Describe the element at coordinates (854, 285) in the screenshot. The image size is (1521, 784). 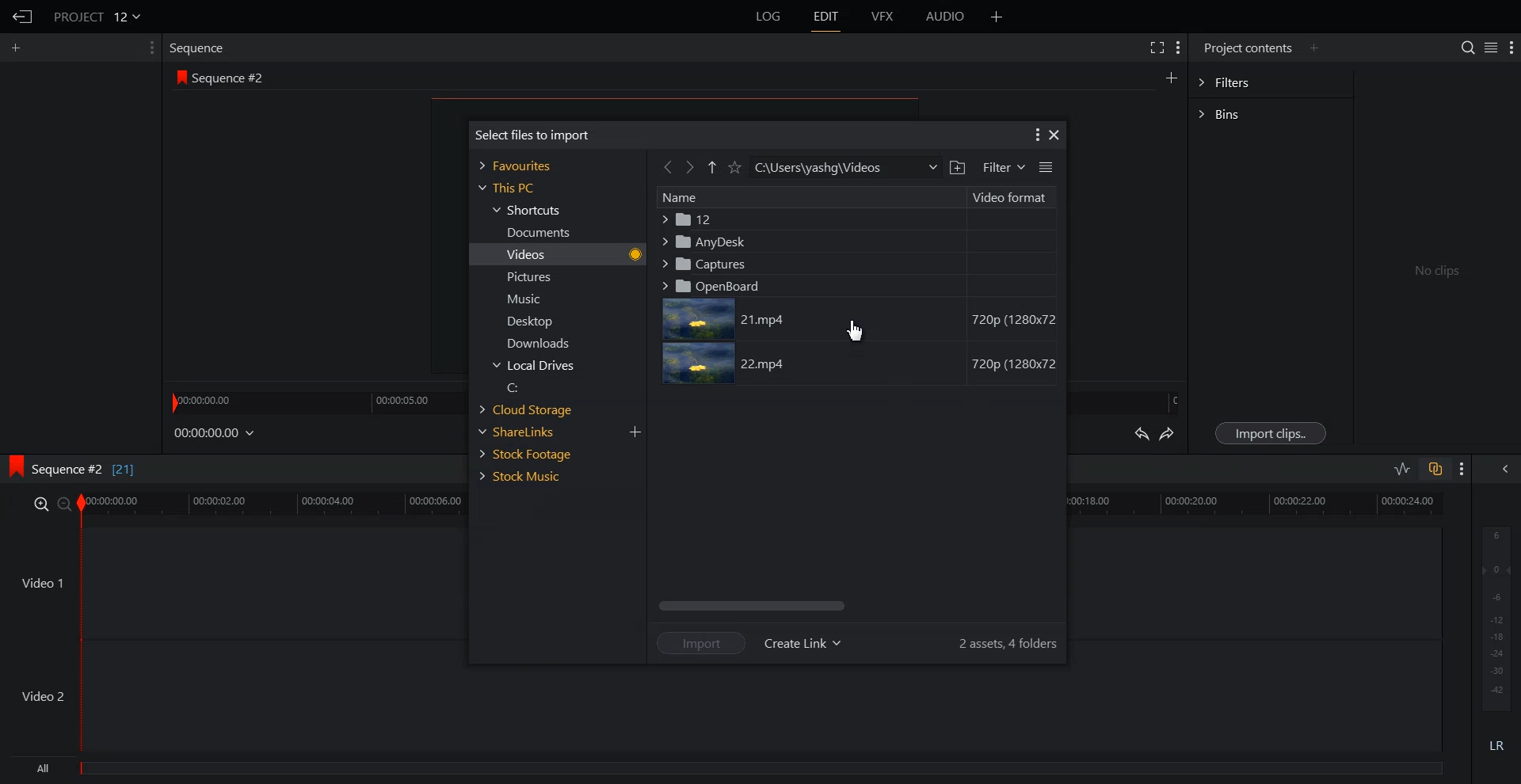
I see `Open Board` at that location.